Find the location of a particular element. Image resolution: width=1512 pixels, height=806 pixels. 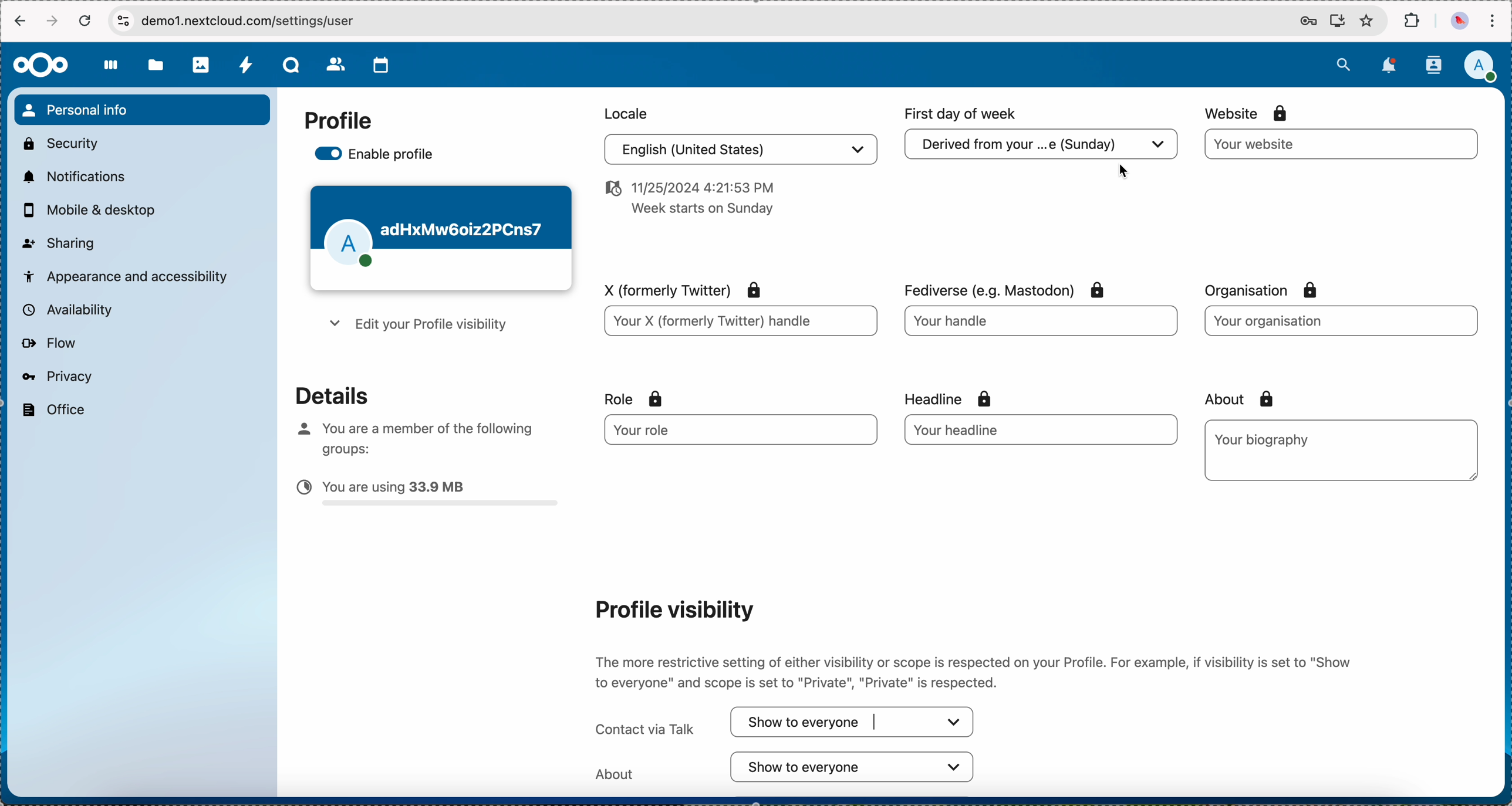

appearance and accessibility is located at coordinates (127, 275).